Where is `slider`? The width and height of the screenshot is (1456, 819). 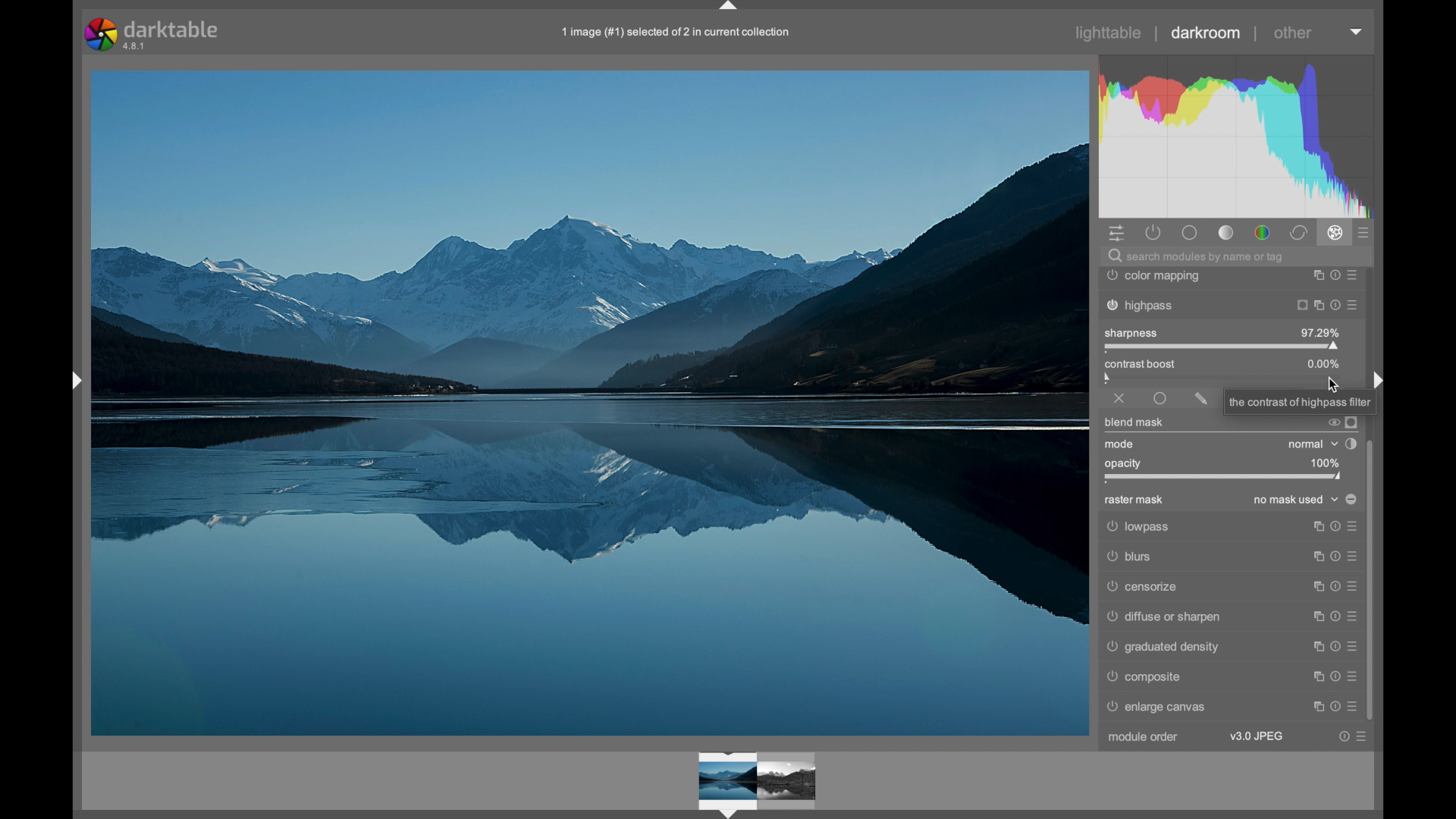
slider is located at coordinates (1224, 477).